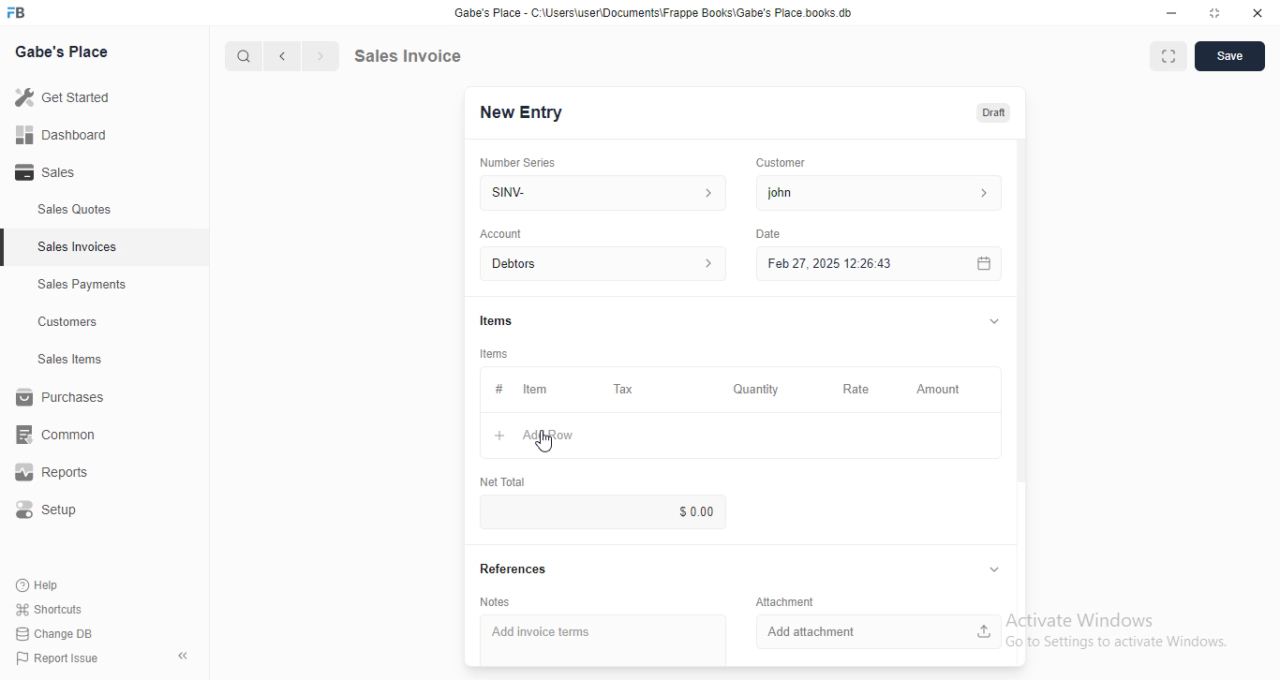 The image size is (1280, 680). What do you see at coordinates (67, 323) in the screenshot?
I see `Customers` at bounding box center [67, 323].